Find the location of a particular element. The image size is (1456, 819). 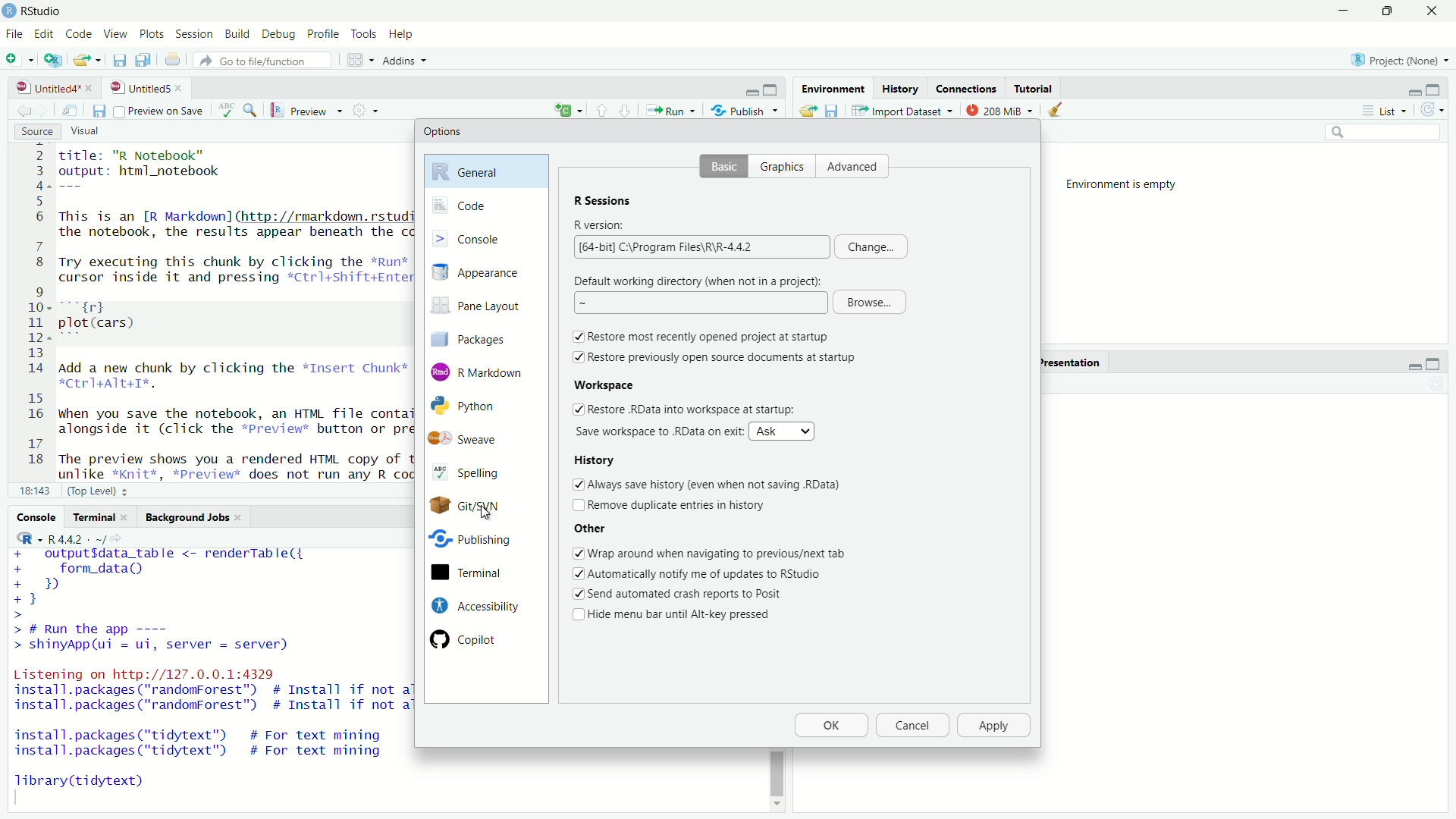

logo is located at coordinates (11, 11).